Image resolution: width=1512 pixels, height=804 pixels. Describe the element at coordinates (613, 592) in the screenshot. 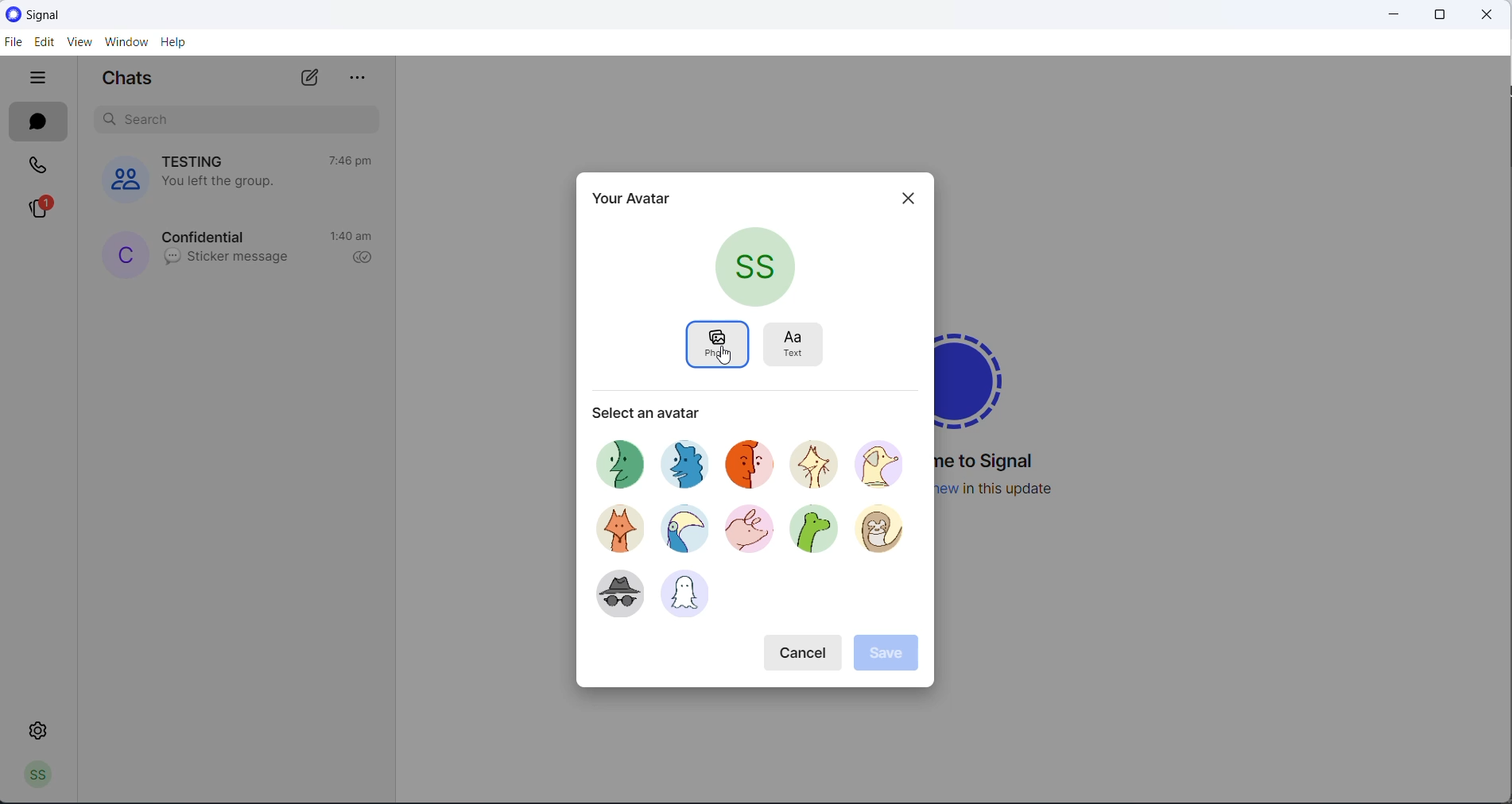

I see `avatar` at that location.